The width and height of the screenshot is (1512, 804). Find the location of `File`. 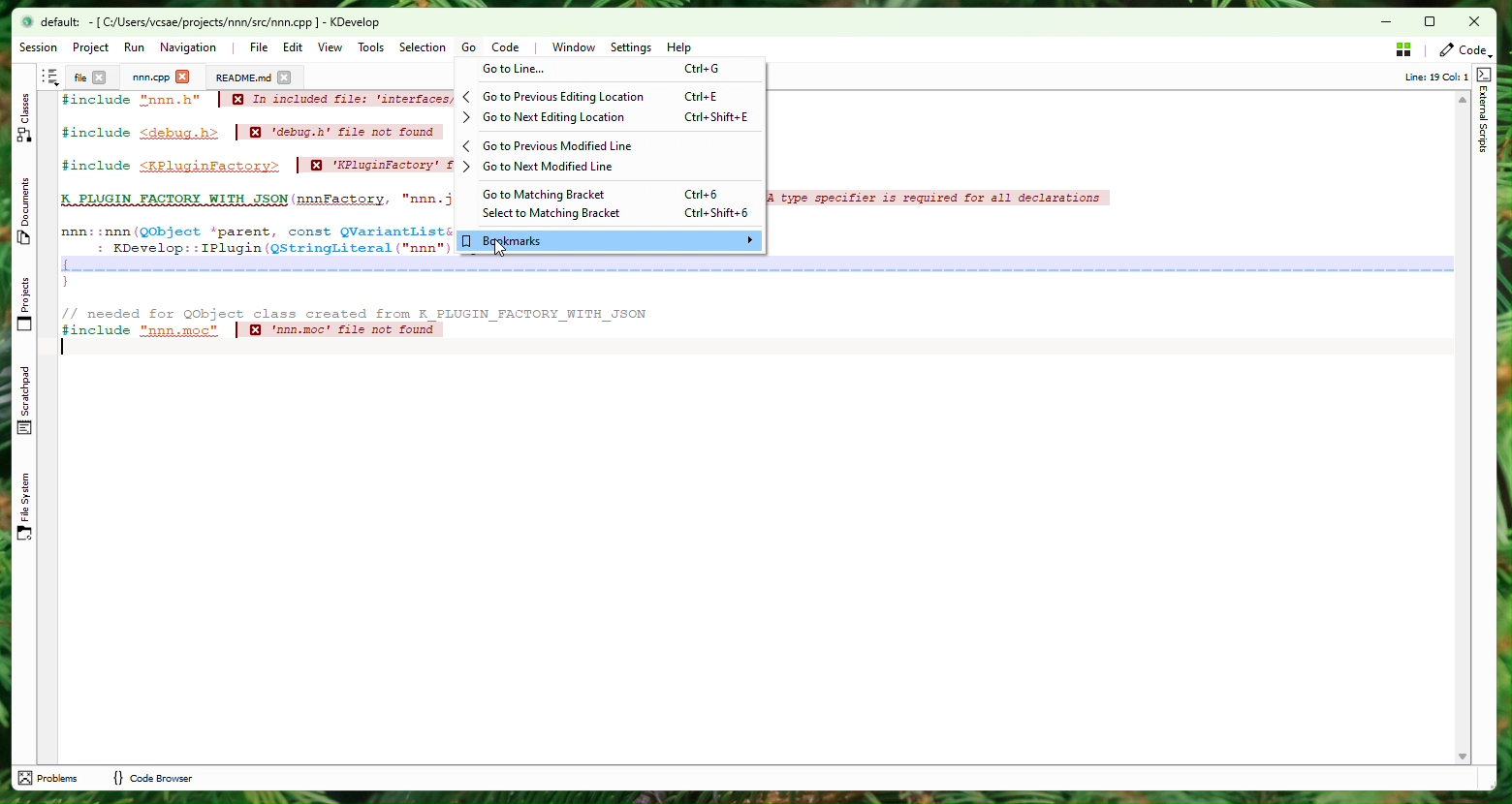

File is located at coordinates (78, 77).